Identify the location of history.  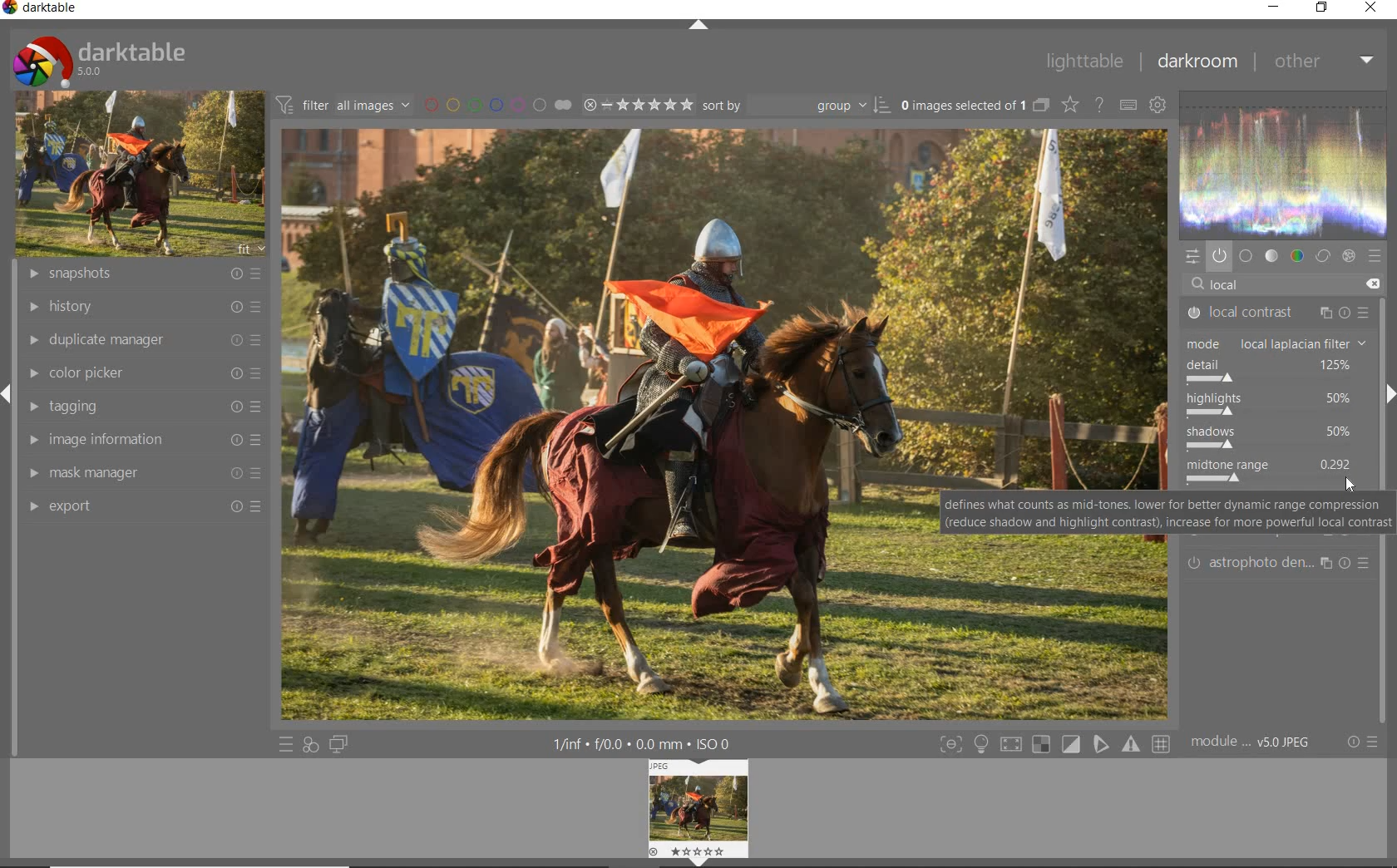
(143, 306).